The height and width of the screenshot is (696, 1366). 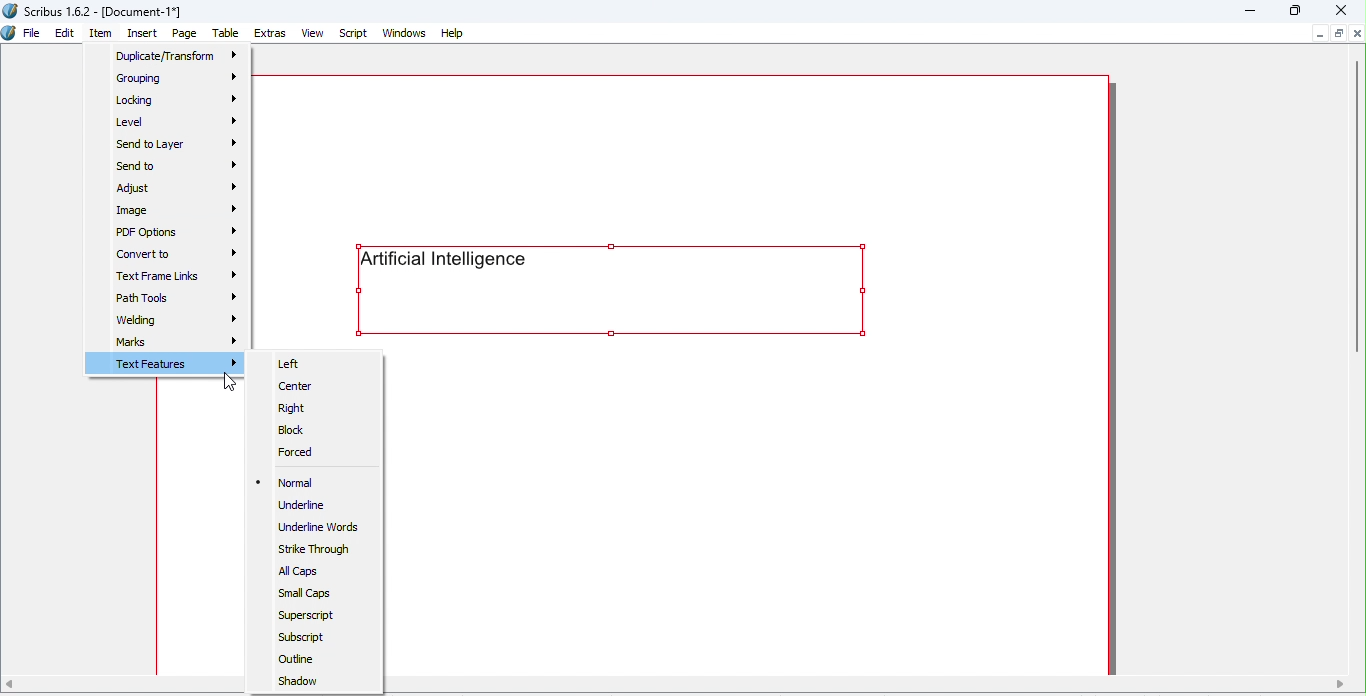 What do you see at coordinates (181, 344) in the screenshot?
I see `Marks` at bounding box center [181, 344].